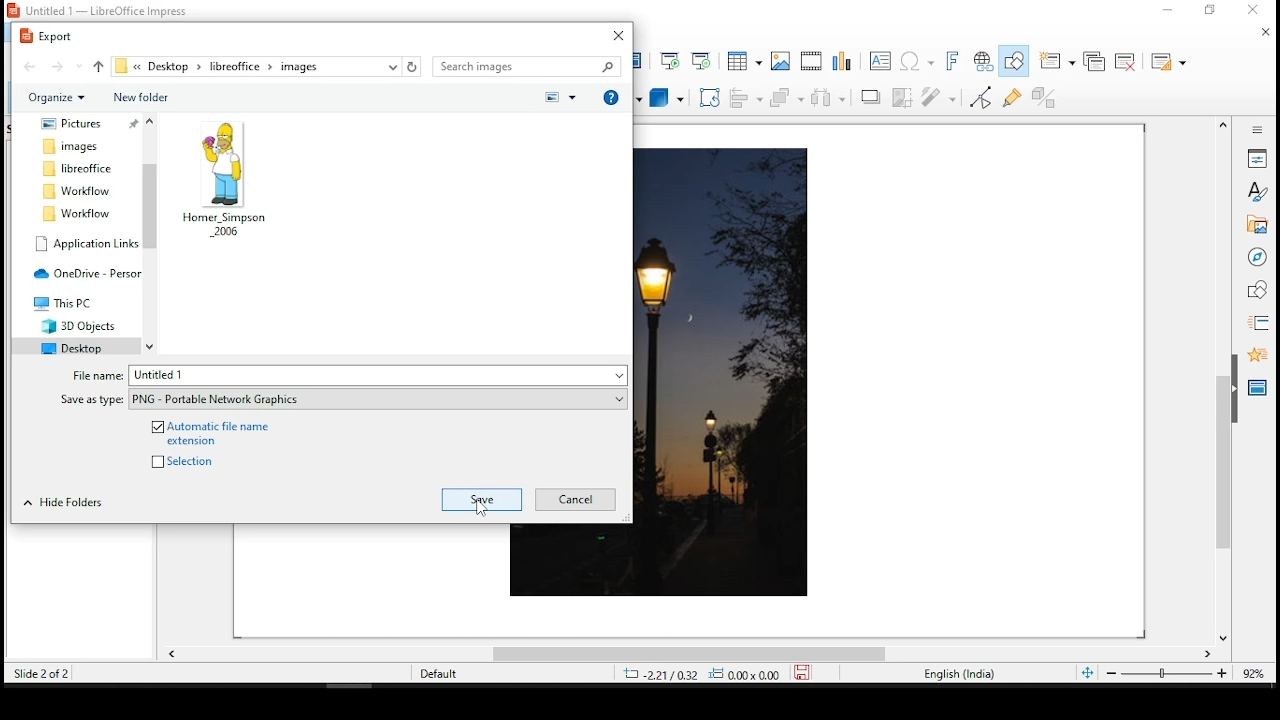  What do you see at coordinates (583, 97) in the screenshot?
I see `callout shapes` at bounding box center [583, 97].